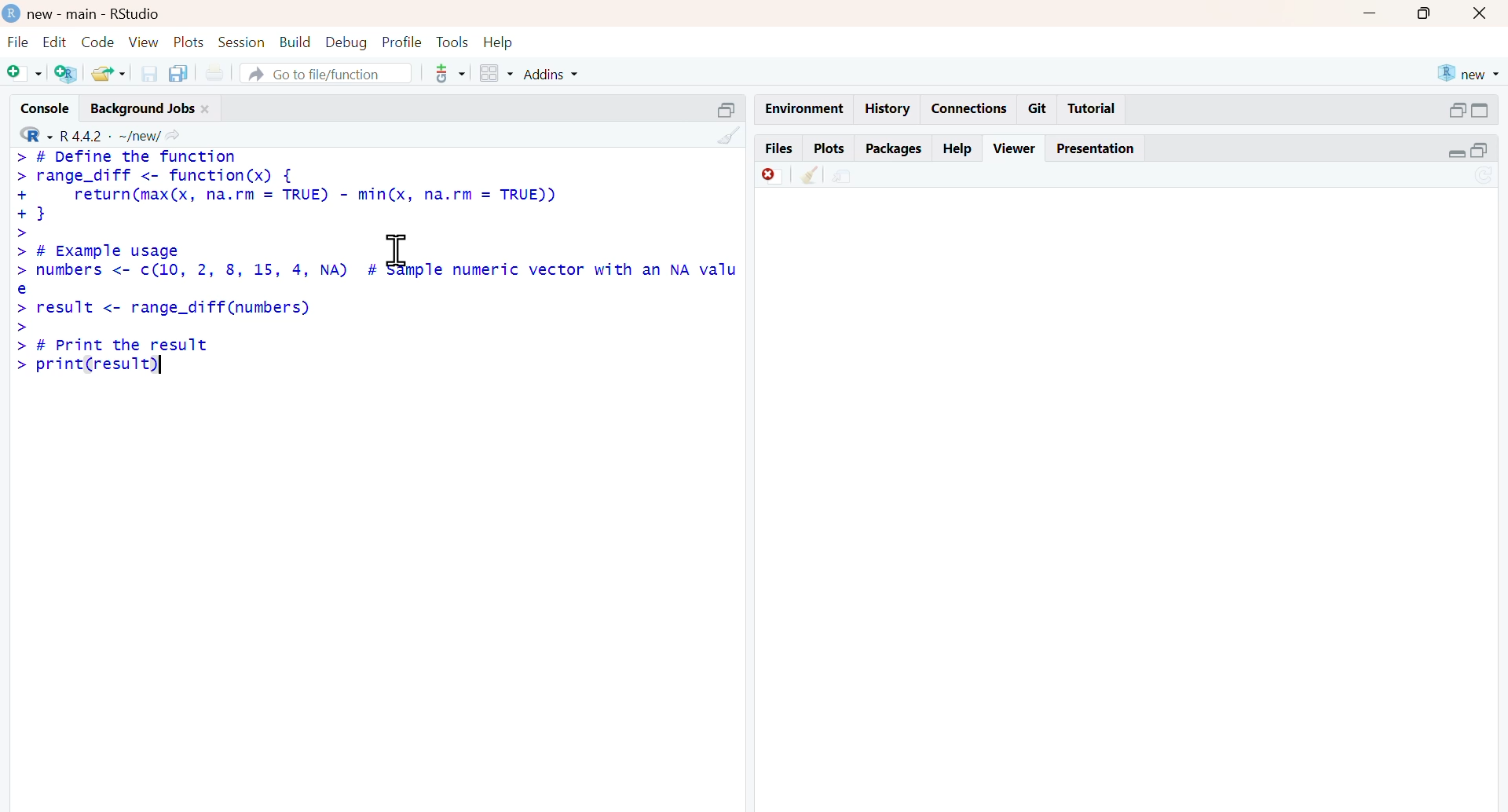 The width and height of the screenshot is (1508, 812). Describe the element at coordinates (729, 135) in the screenshot. I see `` at that location.